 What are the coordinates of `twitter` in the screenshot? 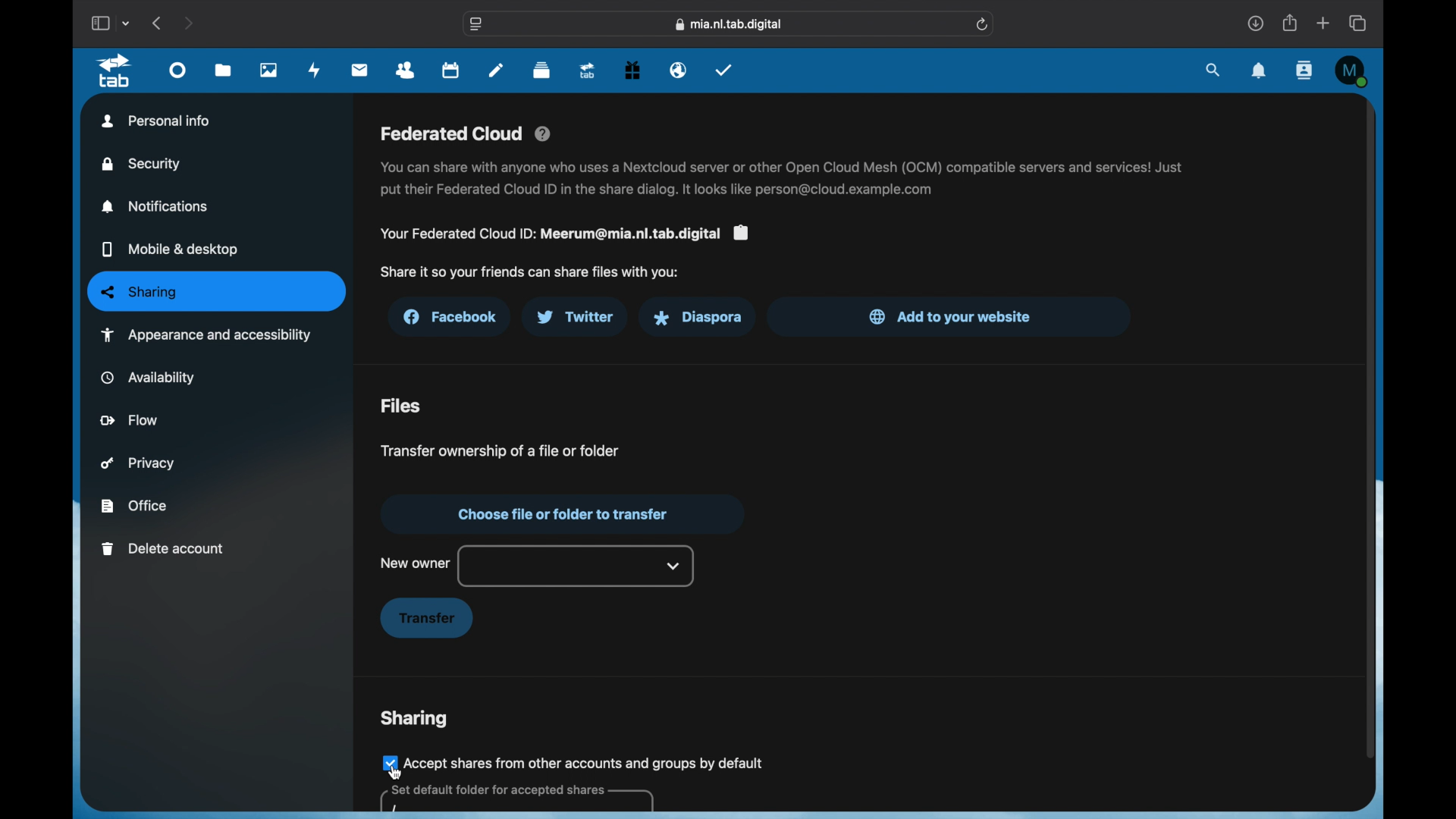 It's located at (575, 317).